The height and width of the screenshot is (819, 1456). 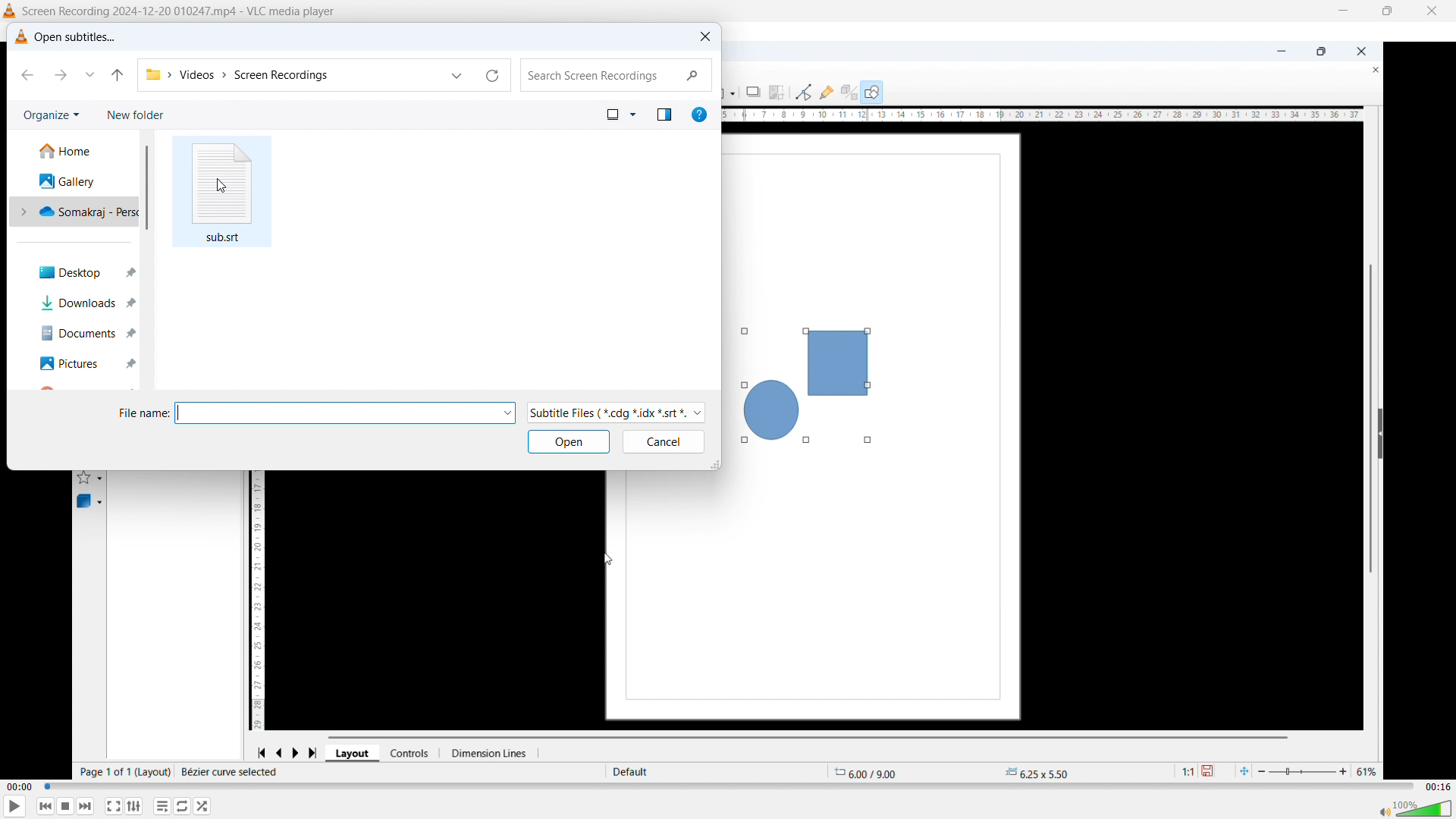 I want to click on previous page, so click(x=281, y=751).